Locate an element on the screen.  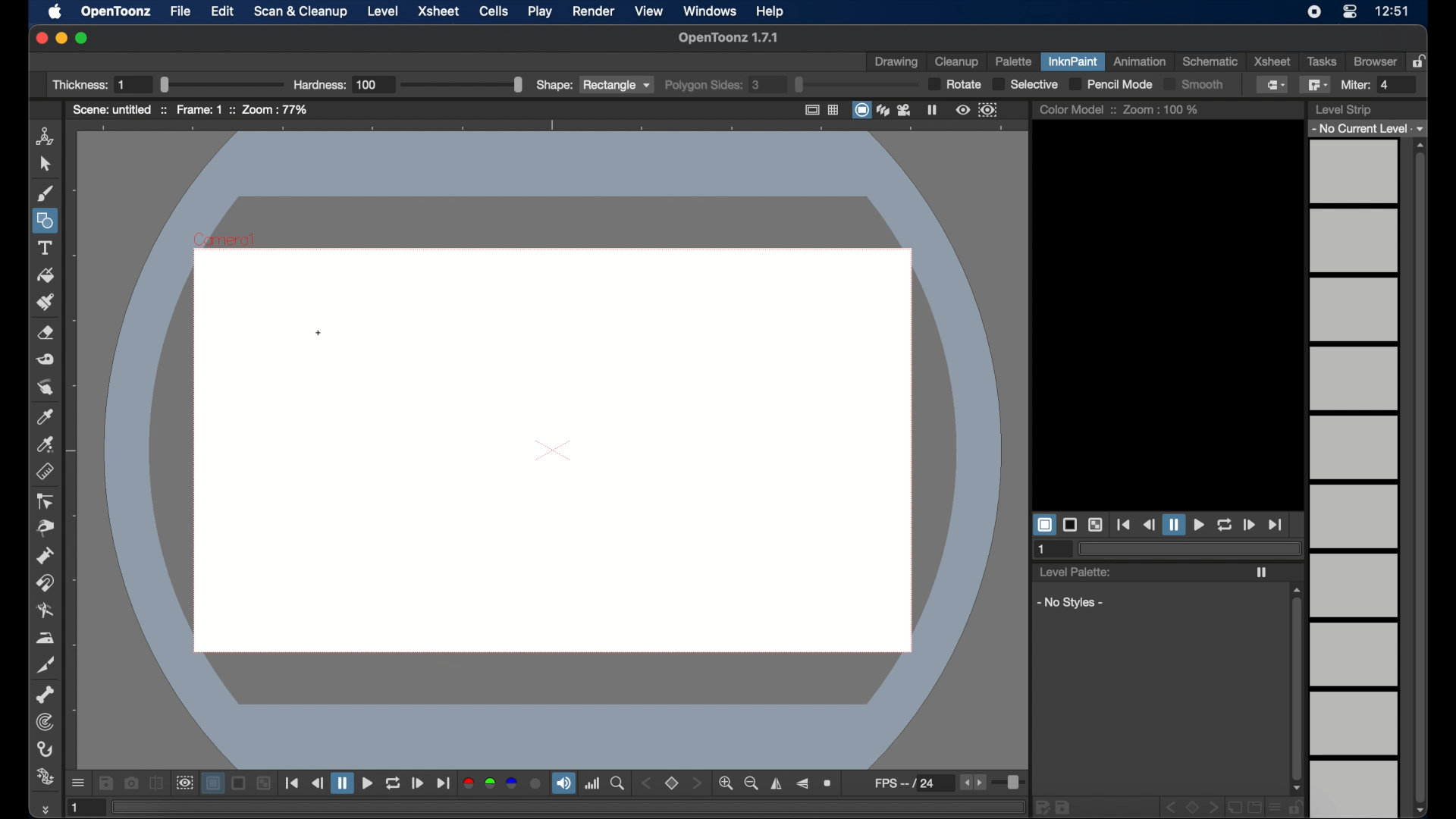
1 is located at coordinates (1043, 550).